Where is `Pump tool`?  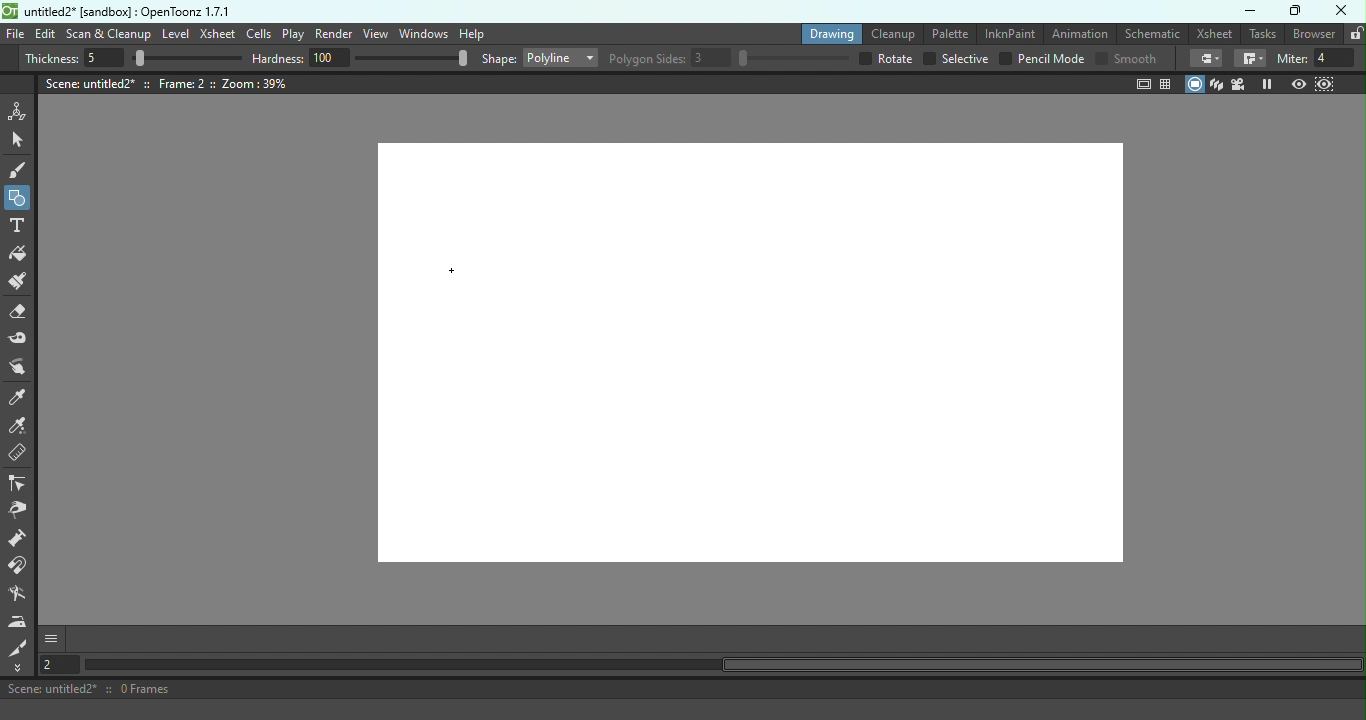
Pump tool is located at coordinates (19, 540).